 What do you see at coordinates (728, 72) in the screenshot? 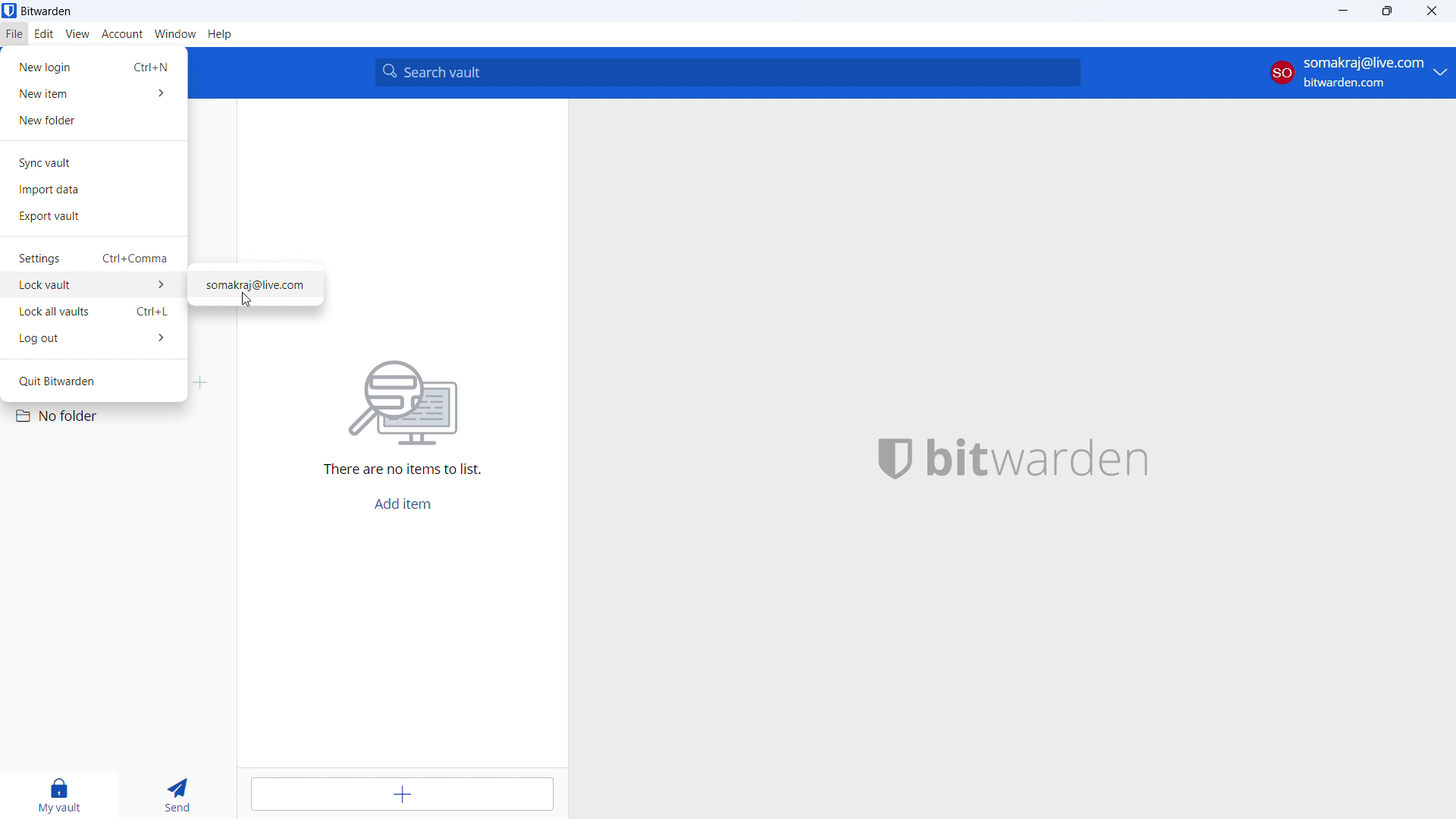
I see `search vault` at bounding box center [728, 72].